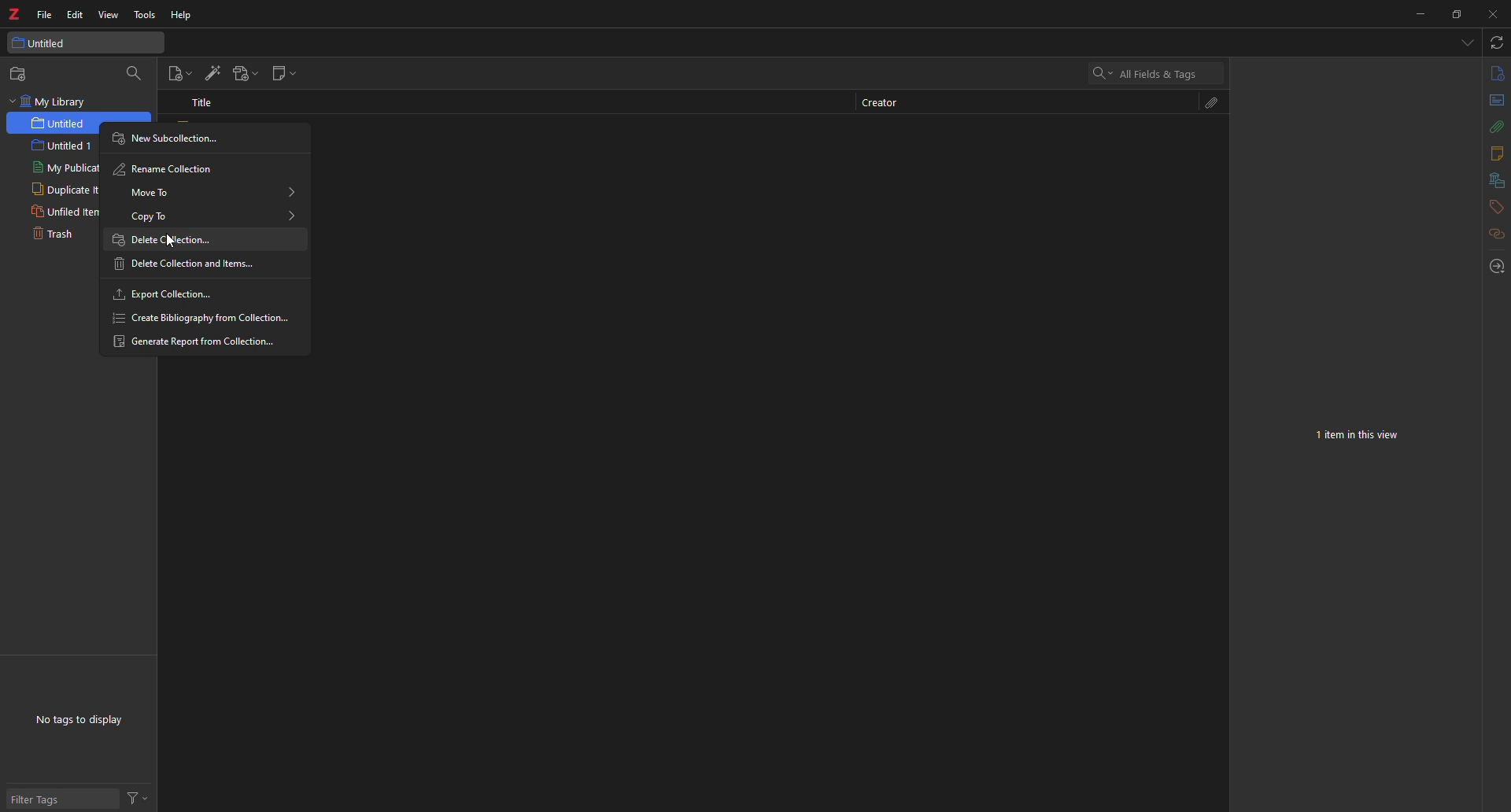 The image size is (1511, 812). I want to click on locate, so click(1496, 265).